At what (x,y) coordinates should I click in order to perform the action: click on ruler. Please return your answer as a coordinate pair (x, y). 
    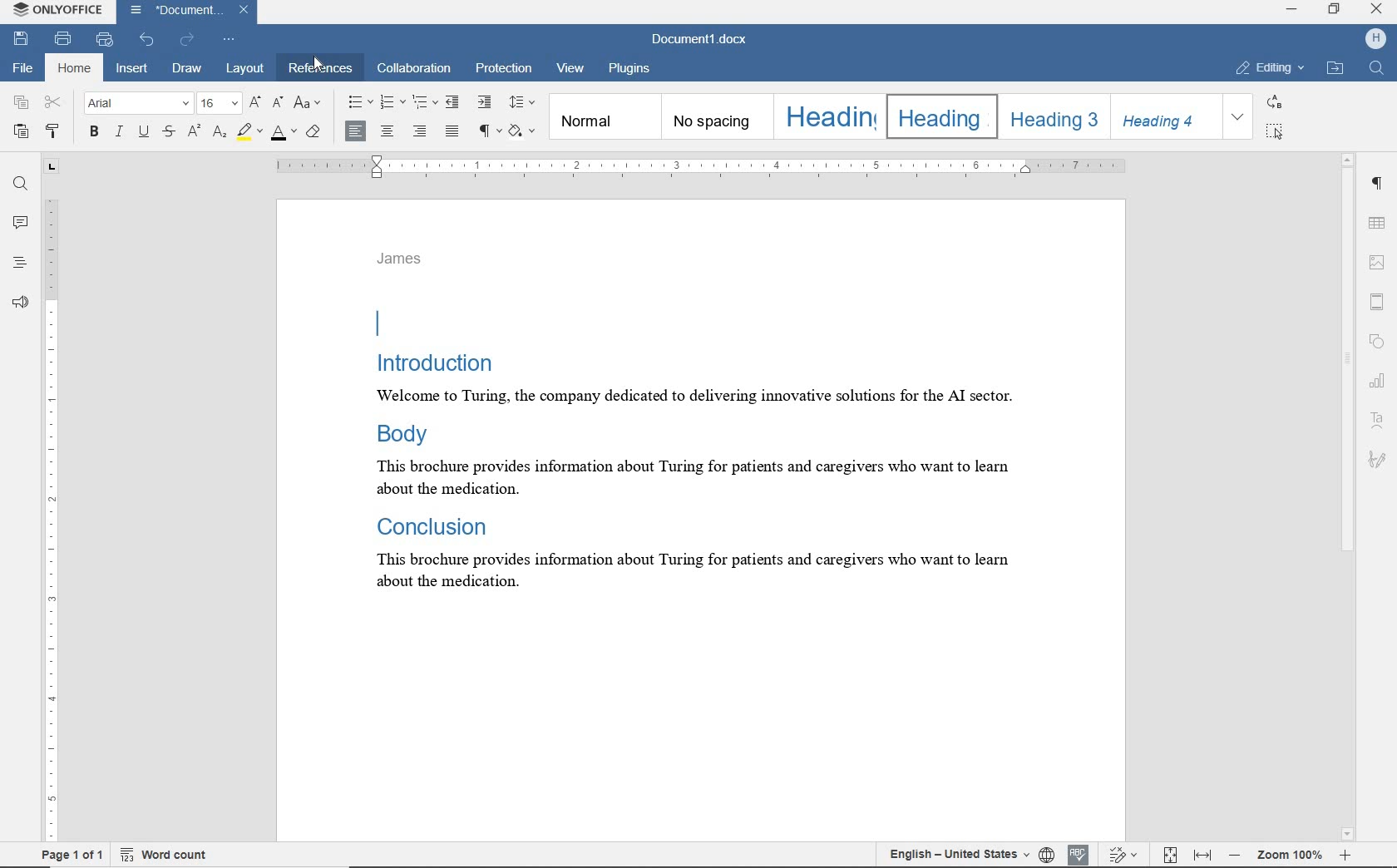
    Looking at the image, I should click on (697, 167).